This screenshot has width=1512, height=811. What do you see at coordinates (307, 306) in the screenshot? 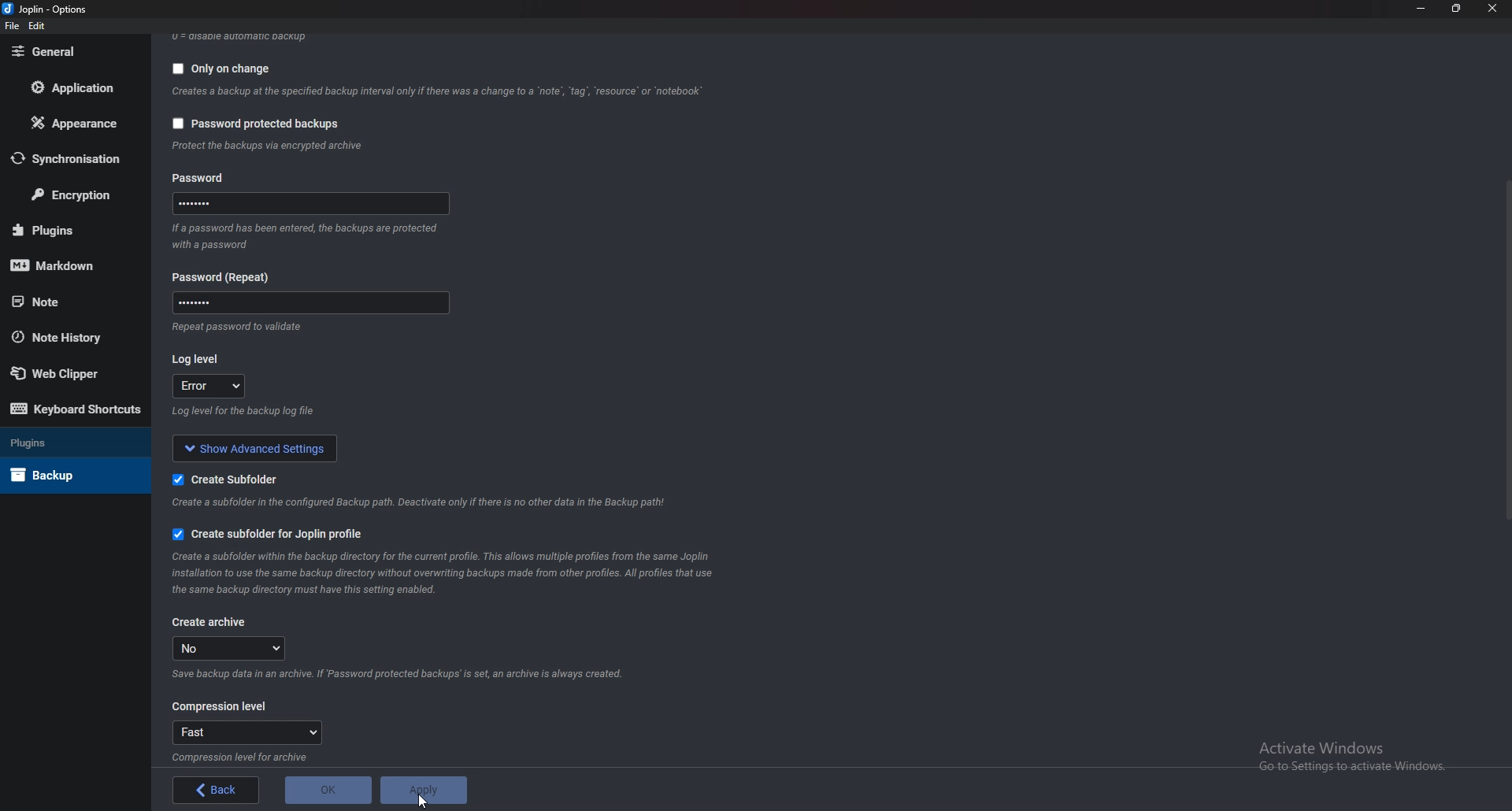
I see `Password` at bounding box center [307, 306].